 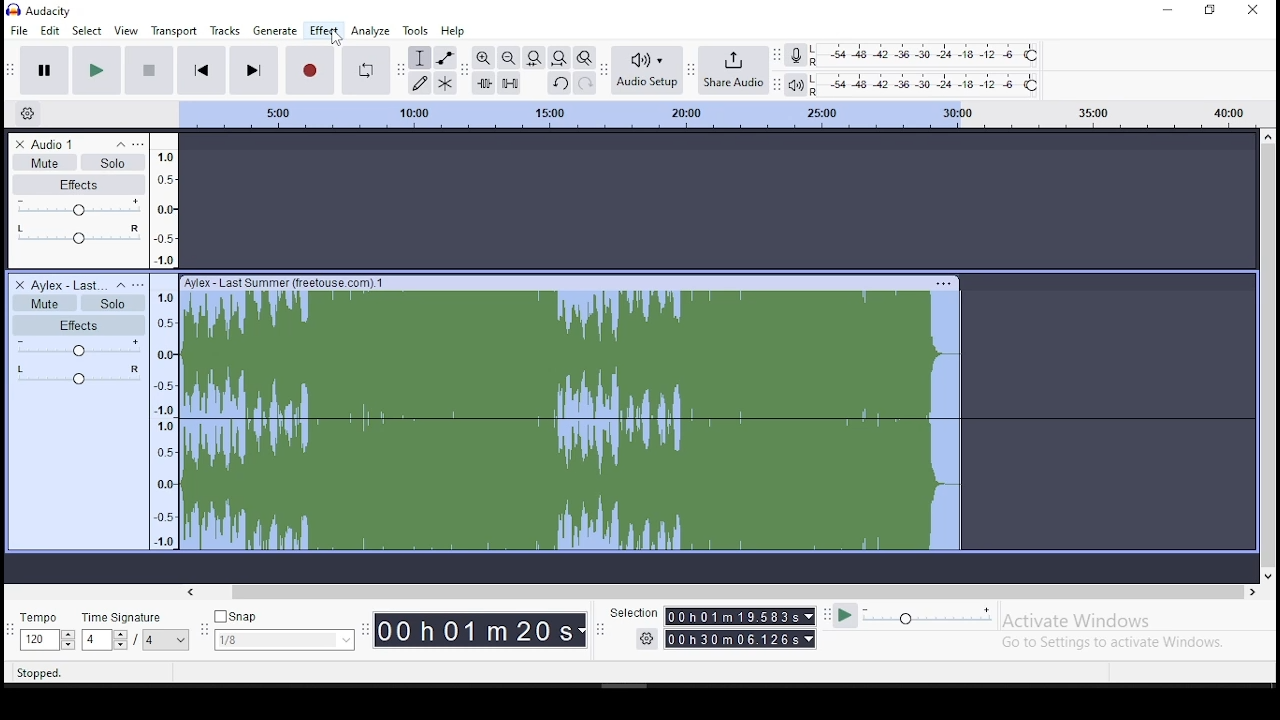 I want to click on edit, so click(x=50, y=31).